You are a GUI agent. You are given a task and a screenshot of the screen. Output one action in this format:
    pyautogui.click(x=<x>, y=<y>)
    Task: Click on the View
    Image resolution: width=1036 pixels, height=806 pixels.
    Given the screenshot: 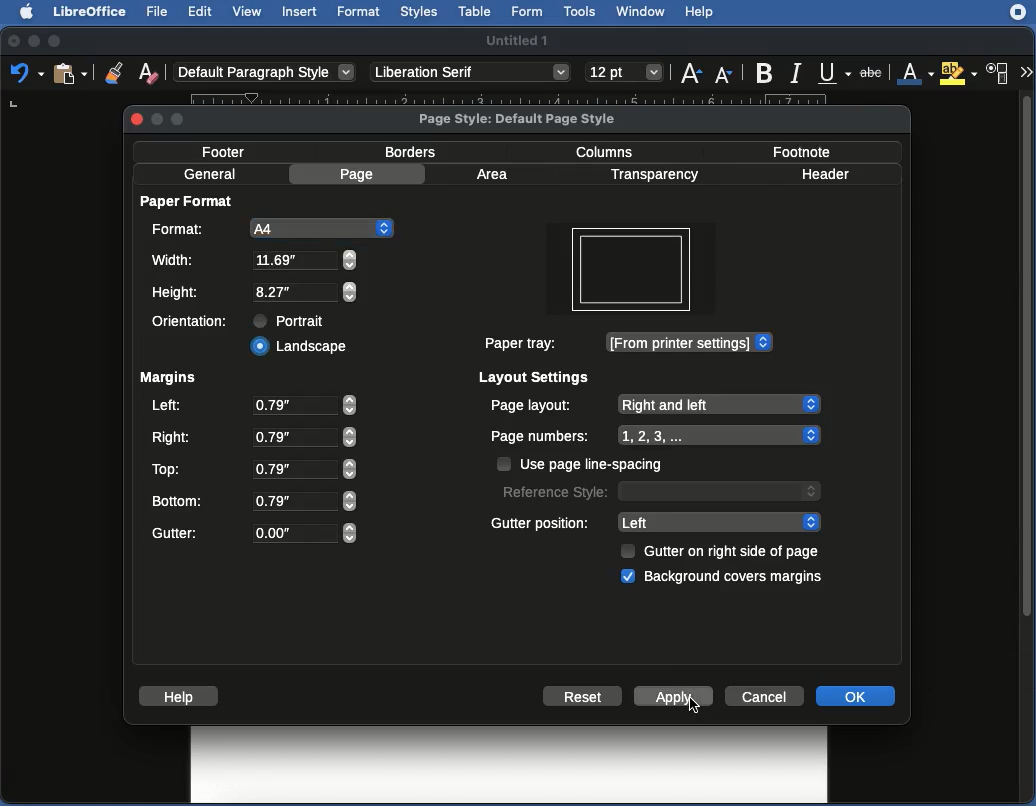 What is the action you would take?
    pyautogui.click(x=248, y=12)
    